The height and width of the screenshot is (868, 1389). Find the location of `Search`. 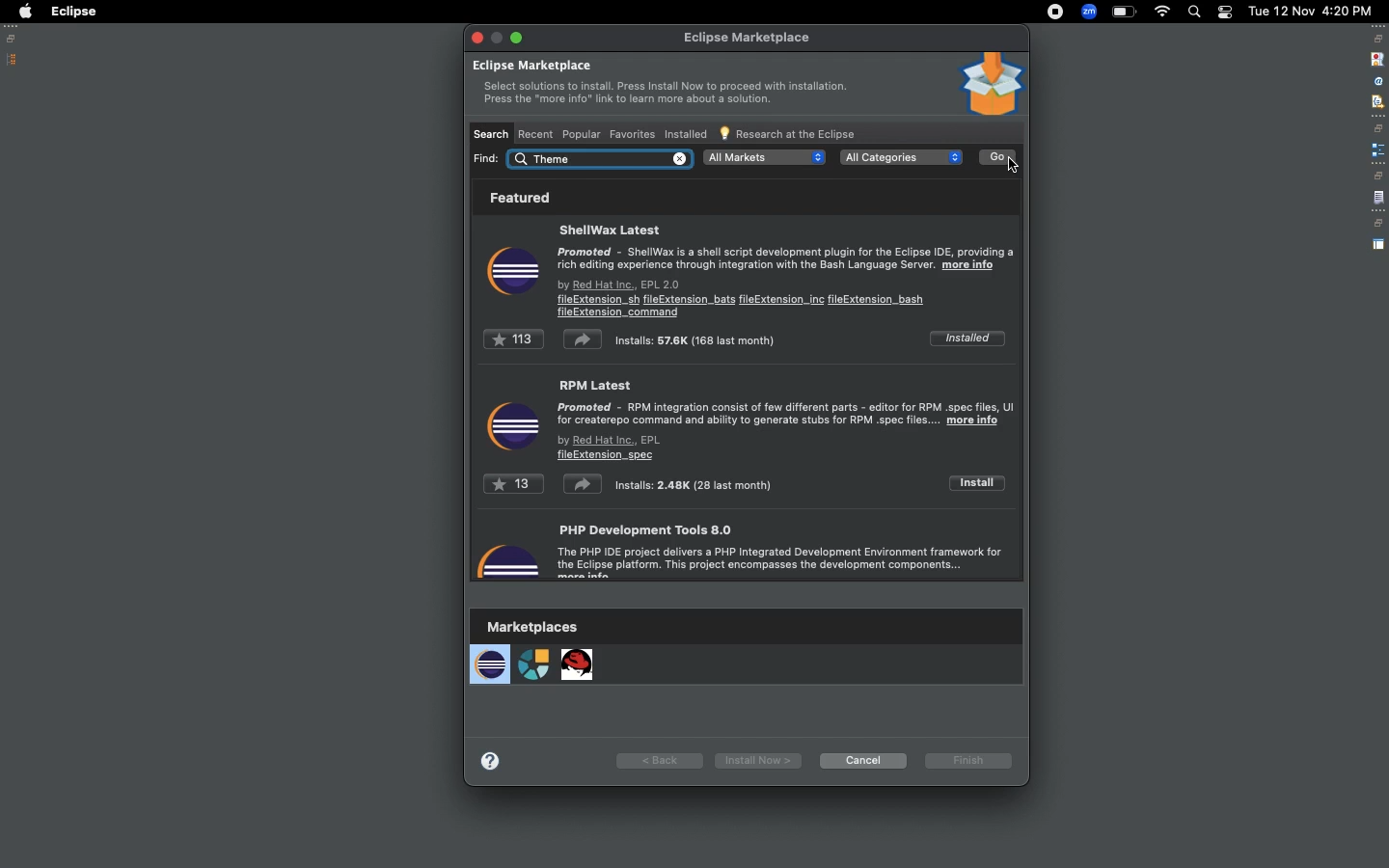

Search is located at coordinates (1193, 12).